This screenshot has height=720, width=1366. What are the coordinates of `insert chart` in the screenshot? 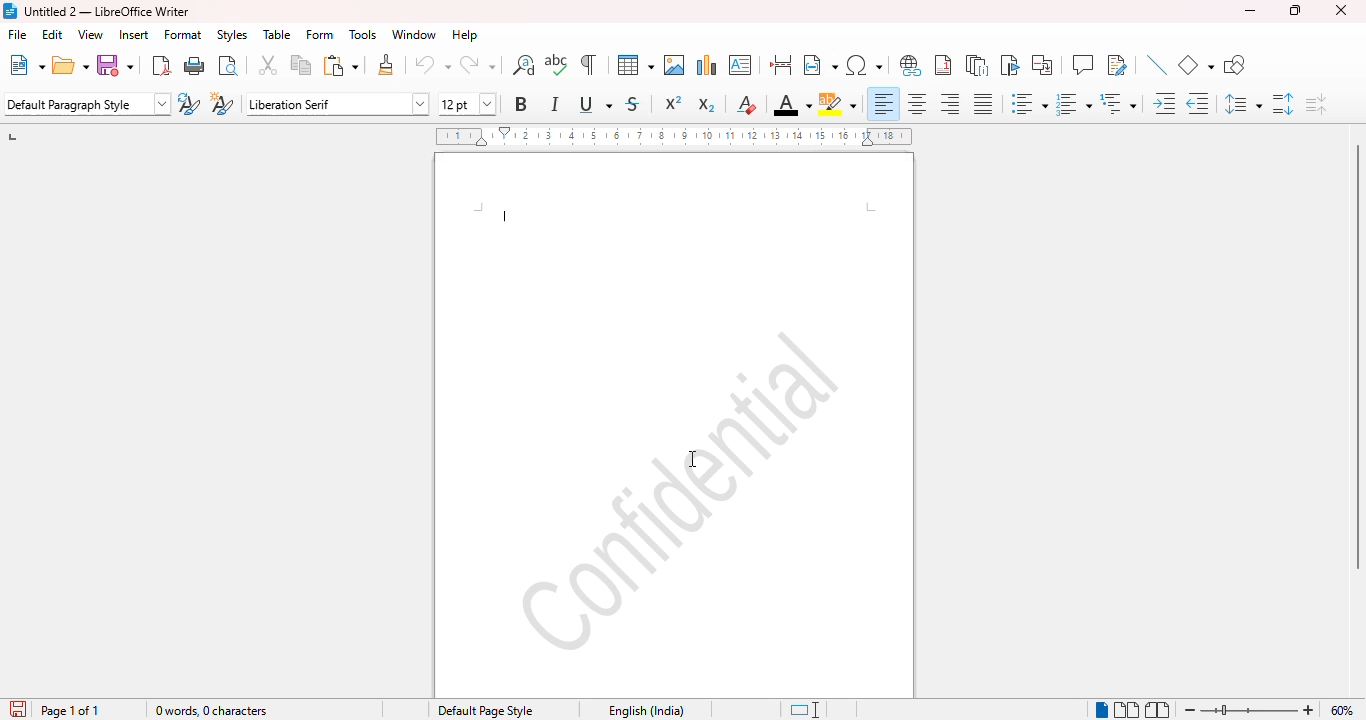 It's located at (707, 64).